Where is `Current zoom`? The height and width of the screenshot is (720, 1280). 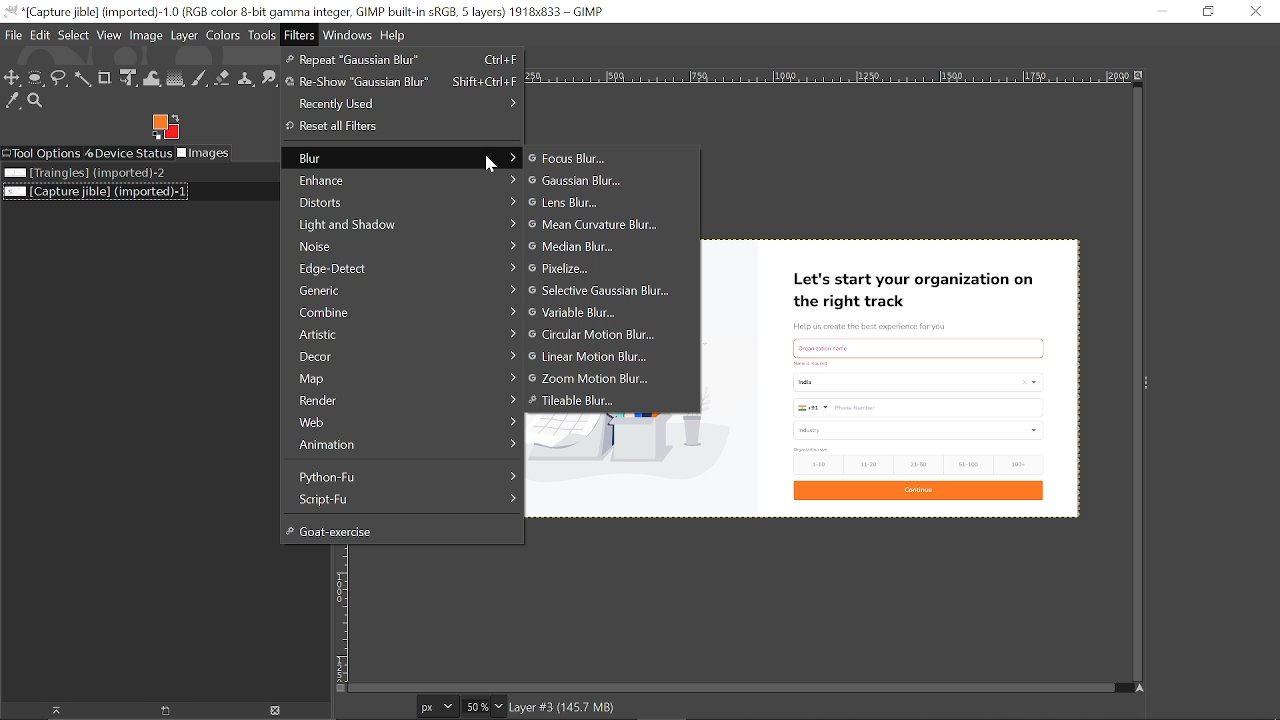
Current zoom is located at coordinates (475, 706).